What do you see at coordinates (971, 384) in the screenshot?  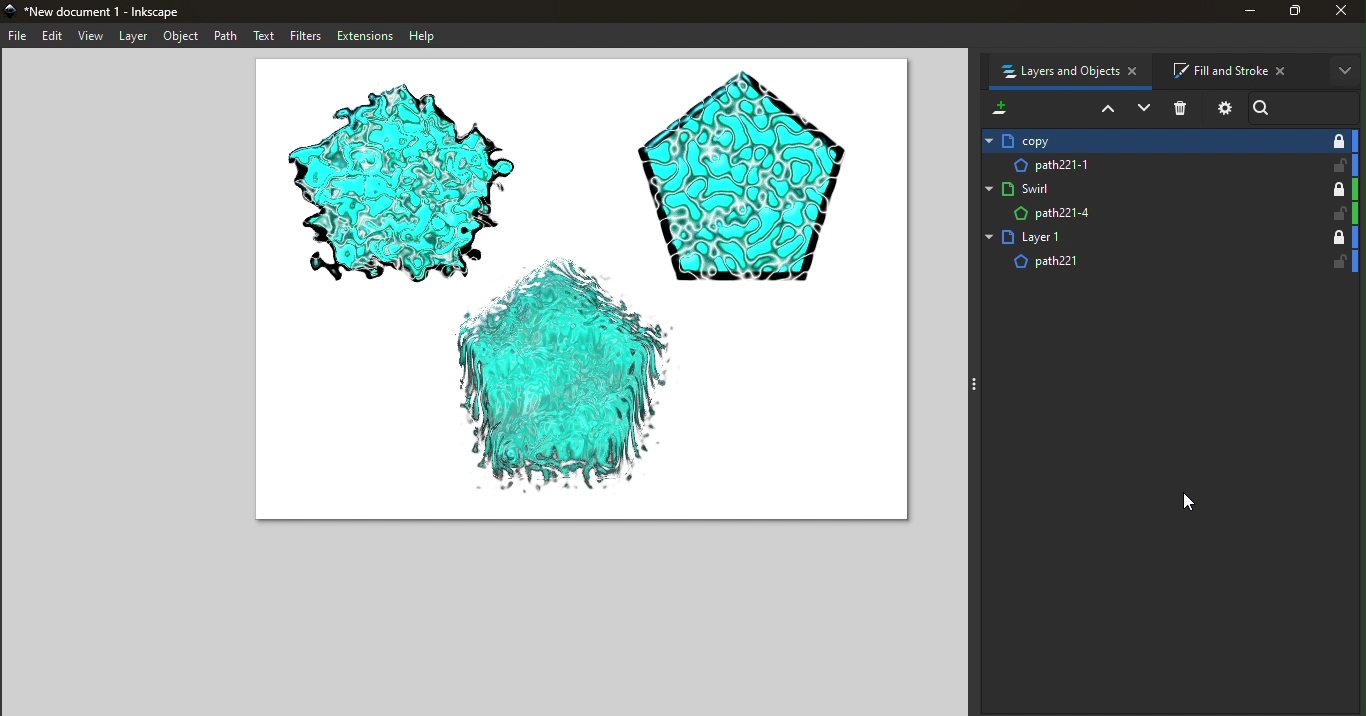 I see `Toggle command palette` at bounding box center [971, 384].